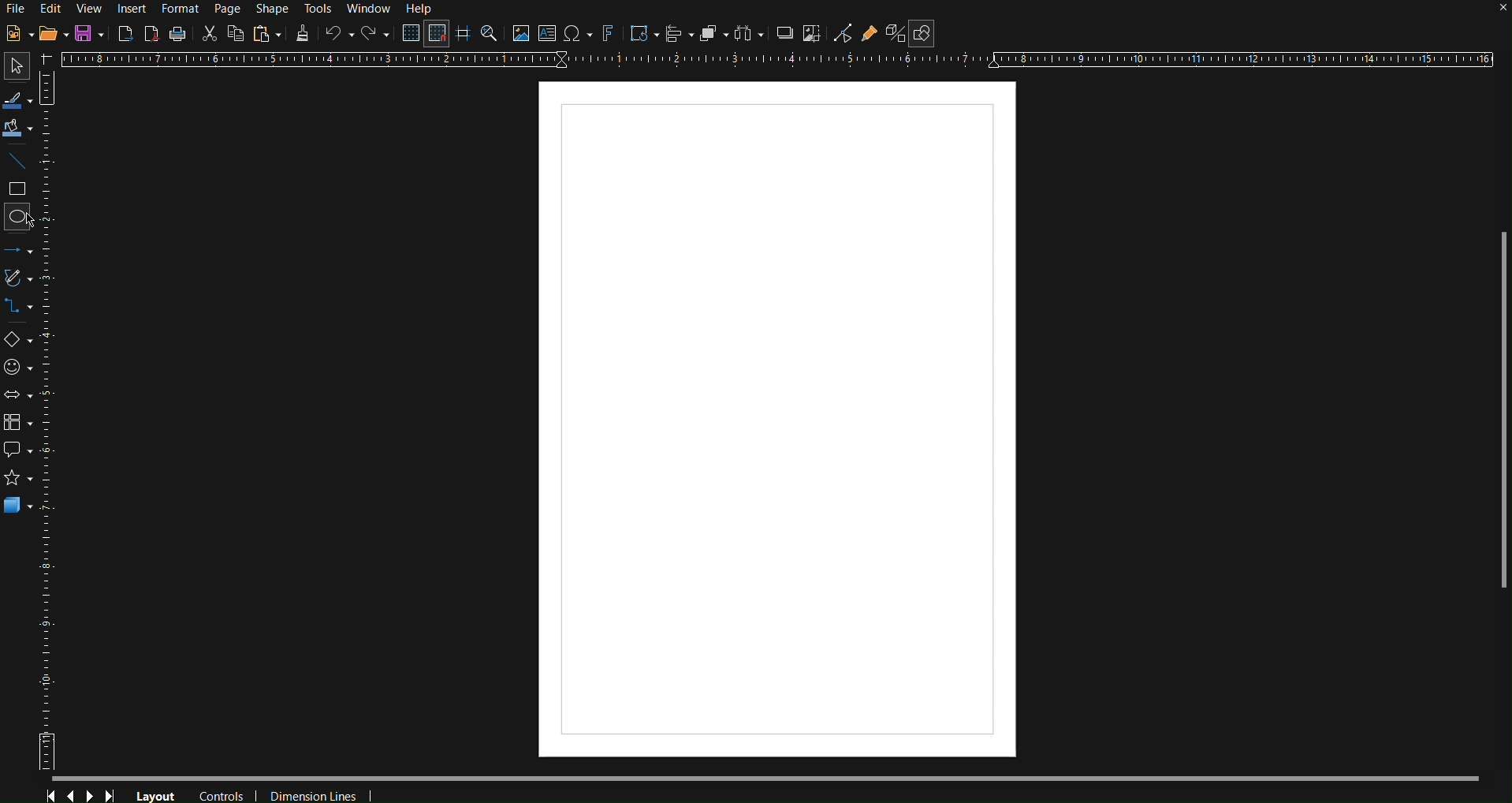 The image size is (1512, 803). Describe the element at coordinates (781, 35) in the screenshot. I see `Shadow` at that location.